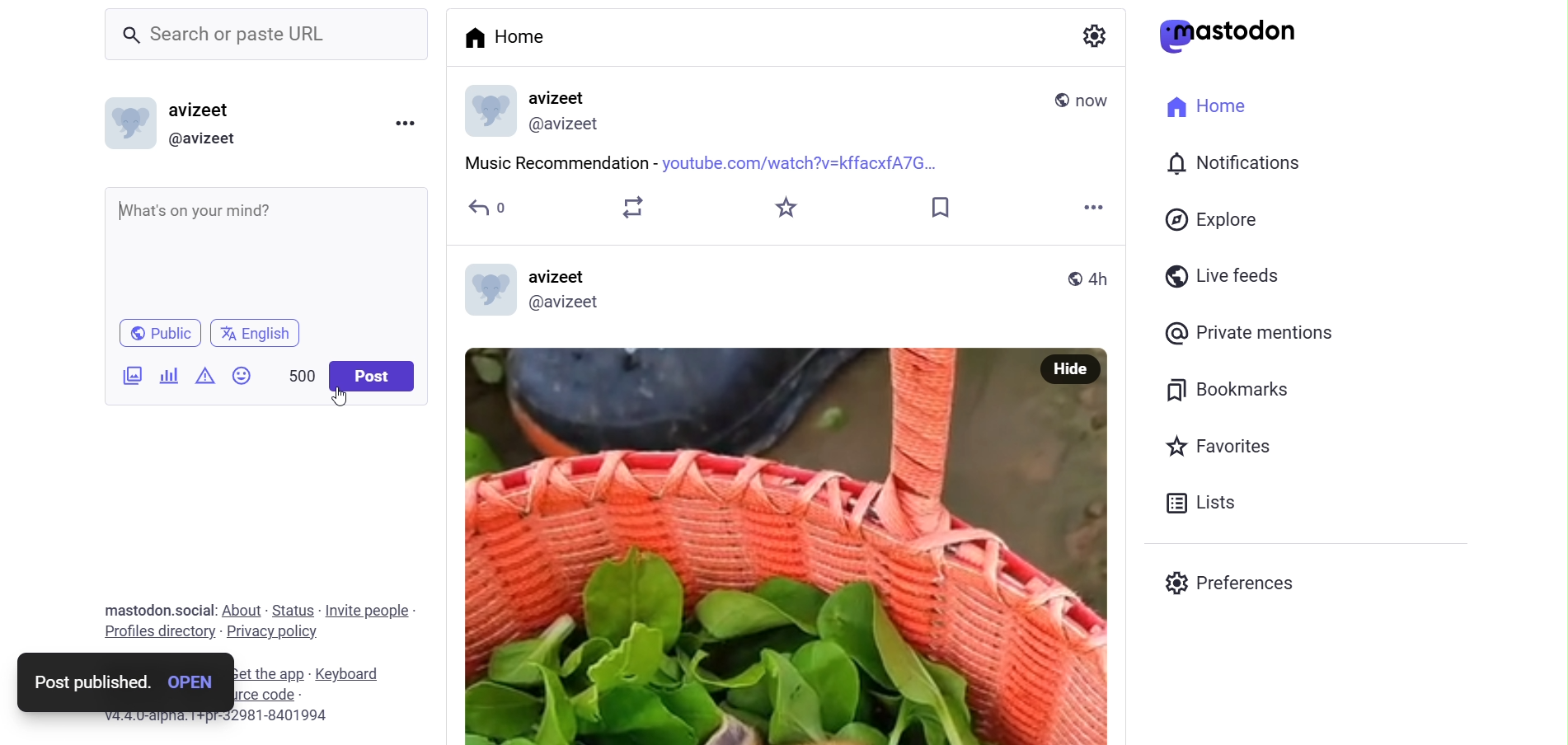 This screenshot has width=1568, height=745. Describe the element at coordinates (1232, 584) in the screenshot. I see `Preferenes` at that location.